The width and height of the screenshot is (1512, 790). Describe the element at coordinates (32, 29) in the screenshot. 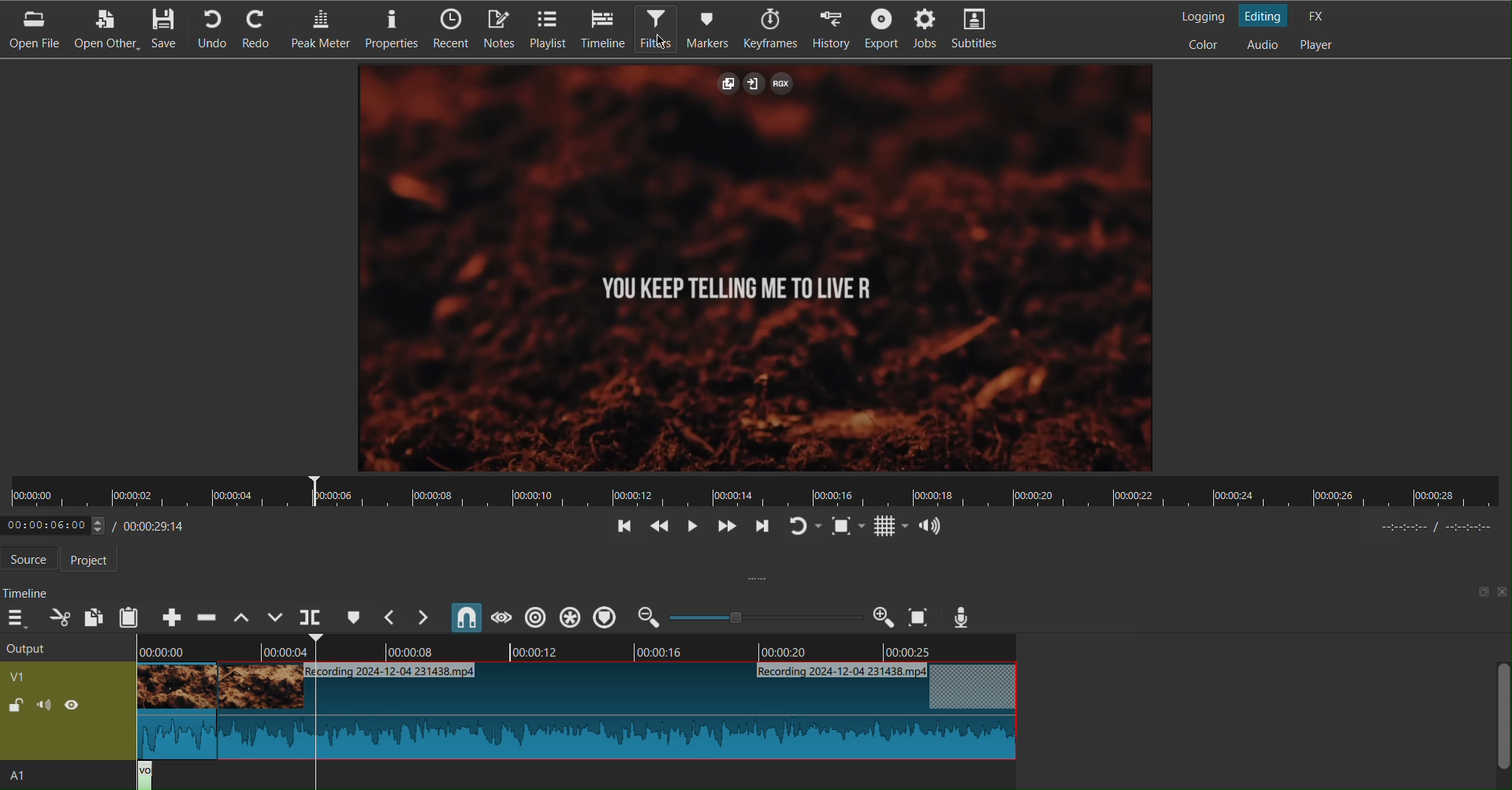

I see `Open File ` at that location.